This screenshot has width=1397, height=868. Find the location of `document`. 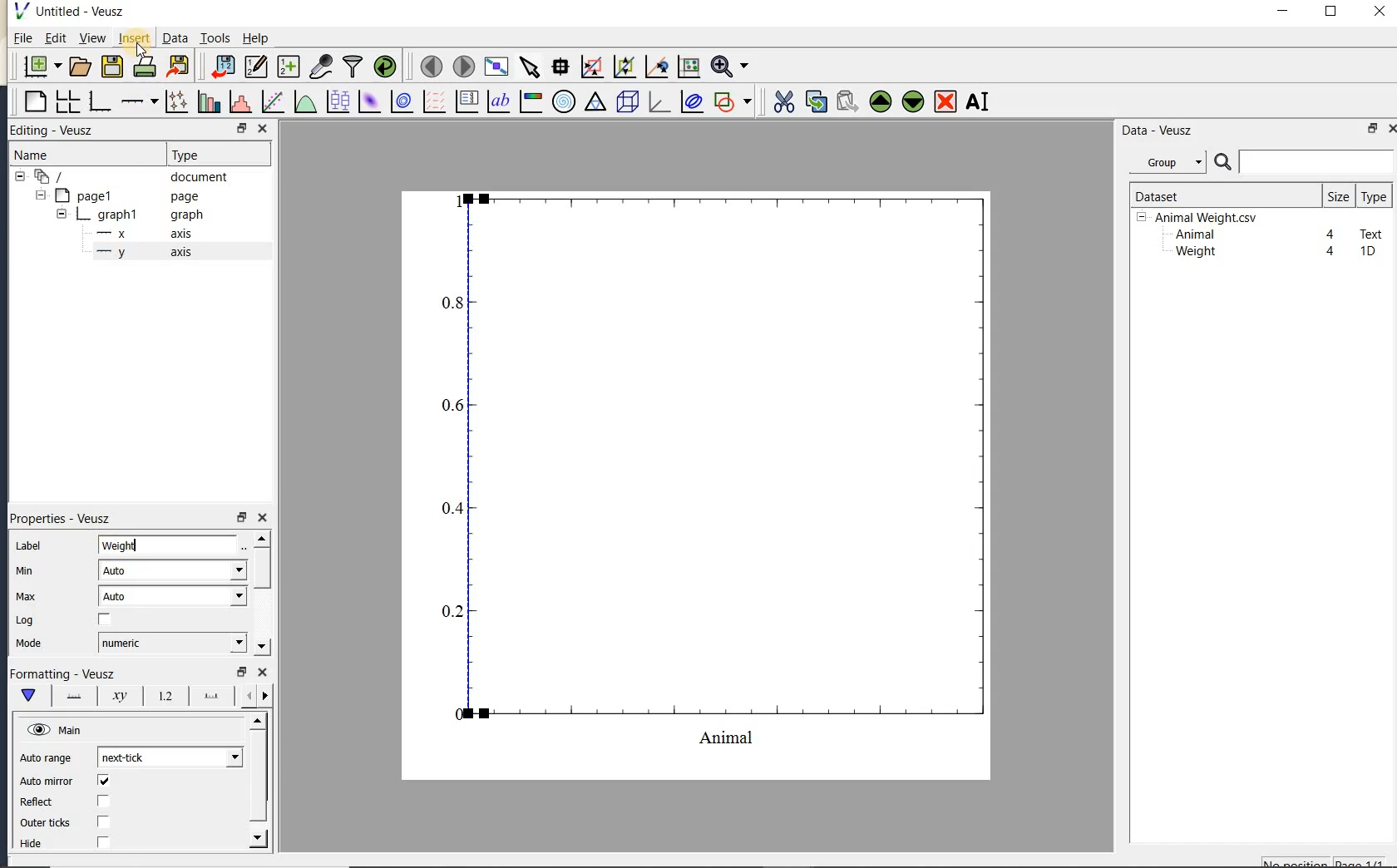

document is located at coordinates (126, 177).